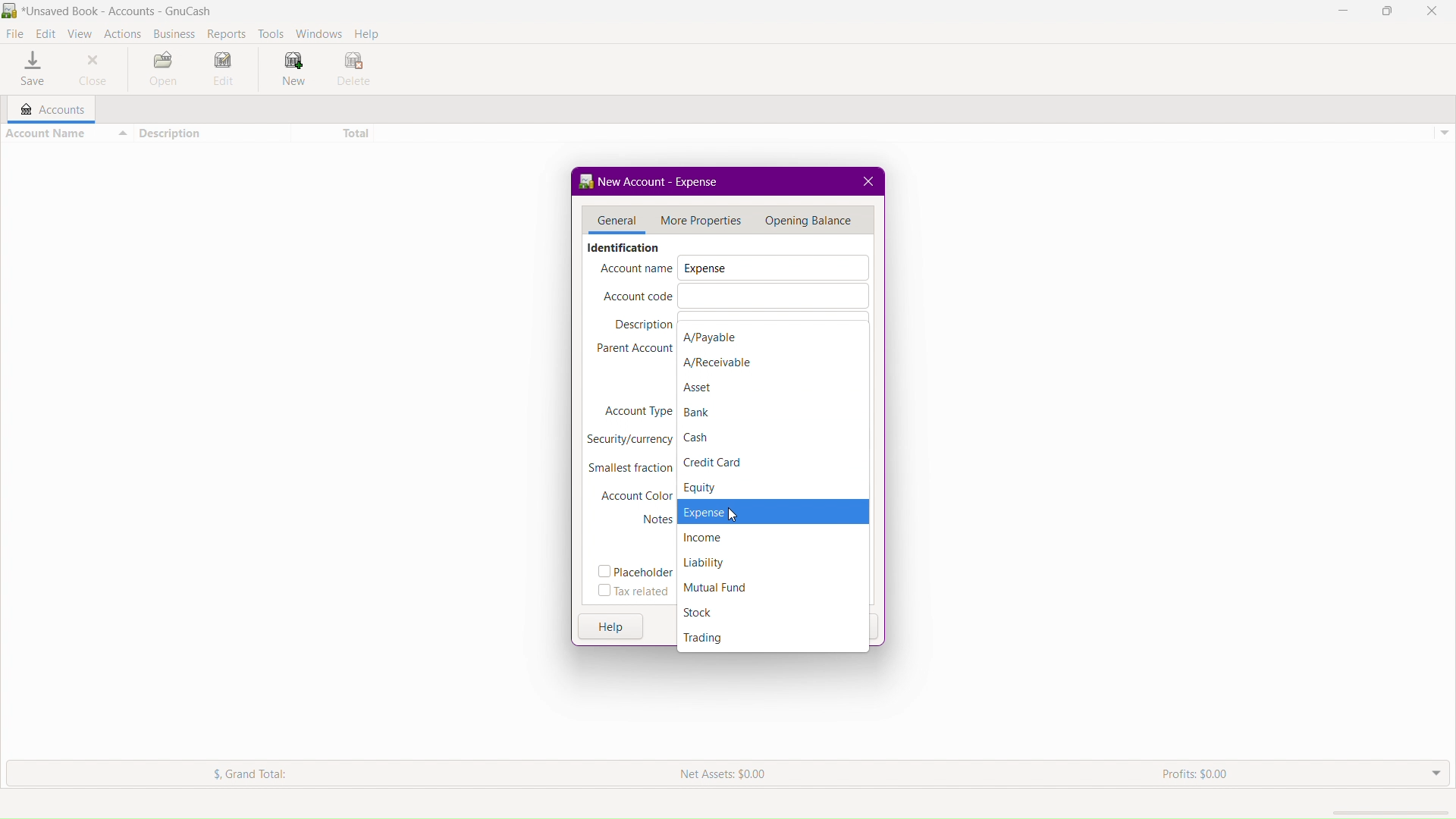  What do you see at coordinates (334, 134) in the screenshot?
I see `Total` at bounding box center [334, 134].